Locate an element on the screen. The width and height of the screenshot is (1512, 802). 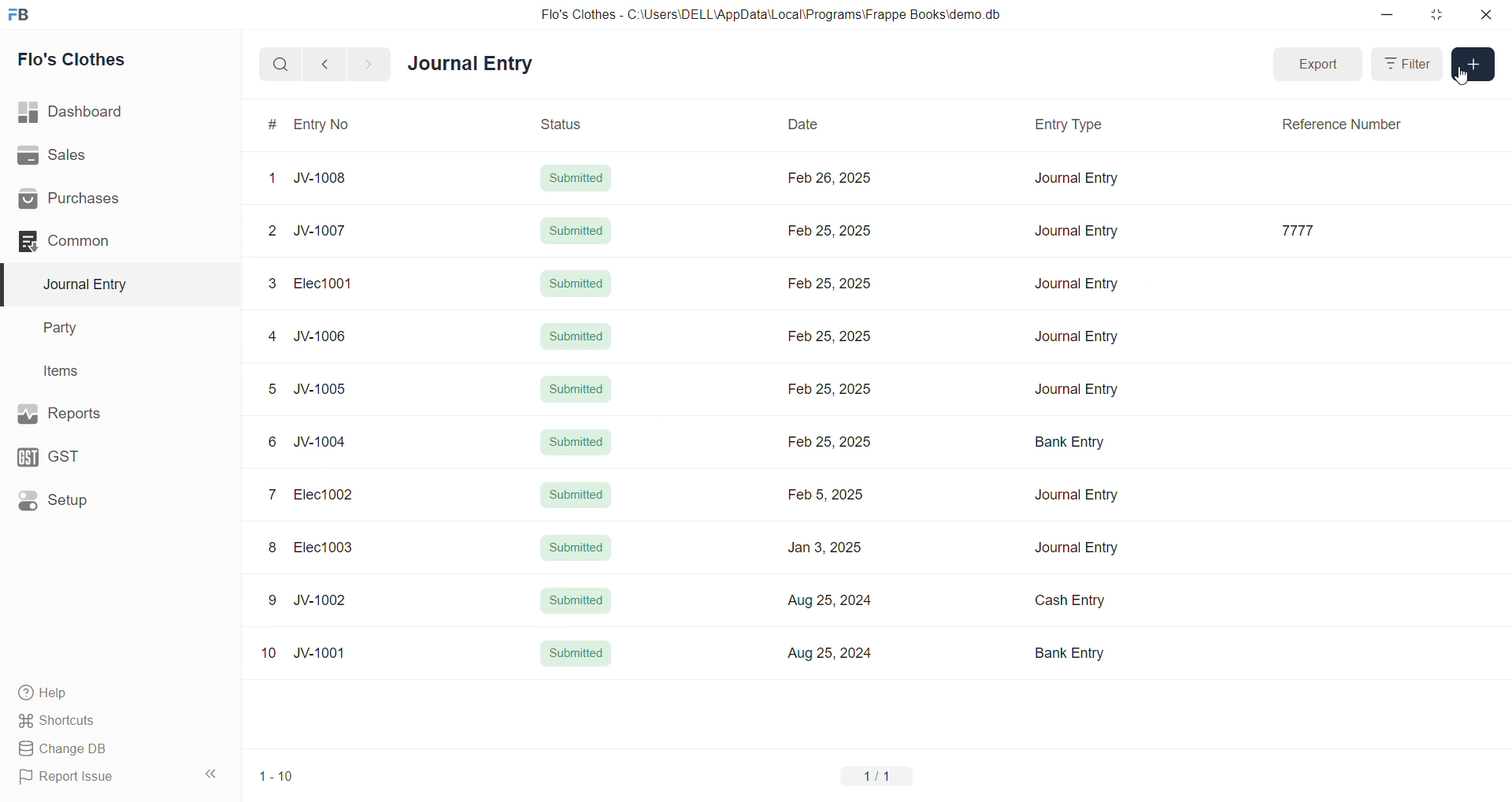
Submitted is located at coordinates (576, 180).